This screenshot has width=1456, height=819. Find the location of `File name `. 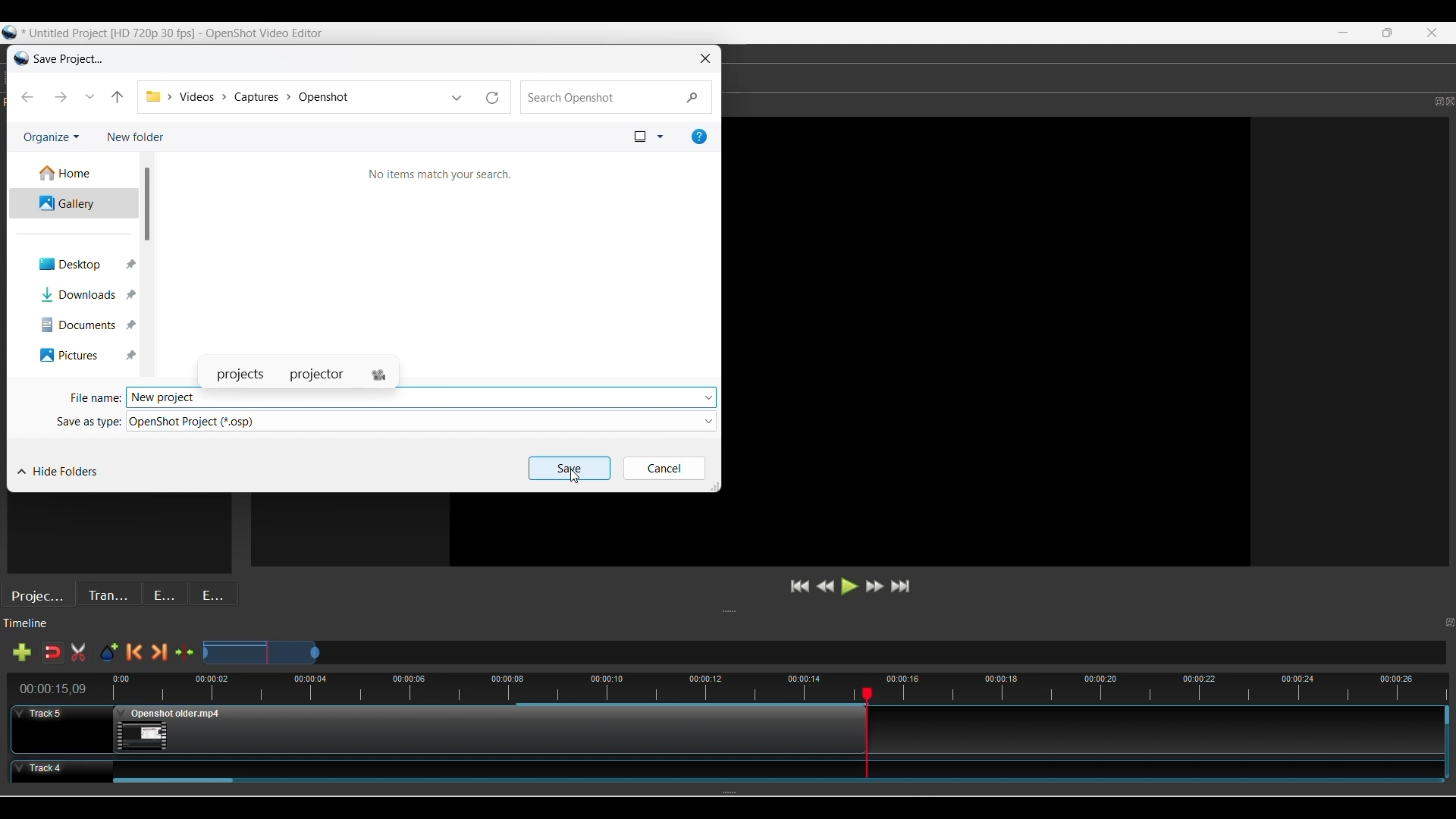

File name  is located at coordinates (93, 399).